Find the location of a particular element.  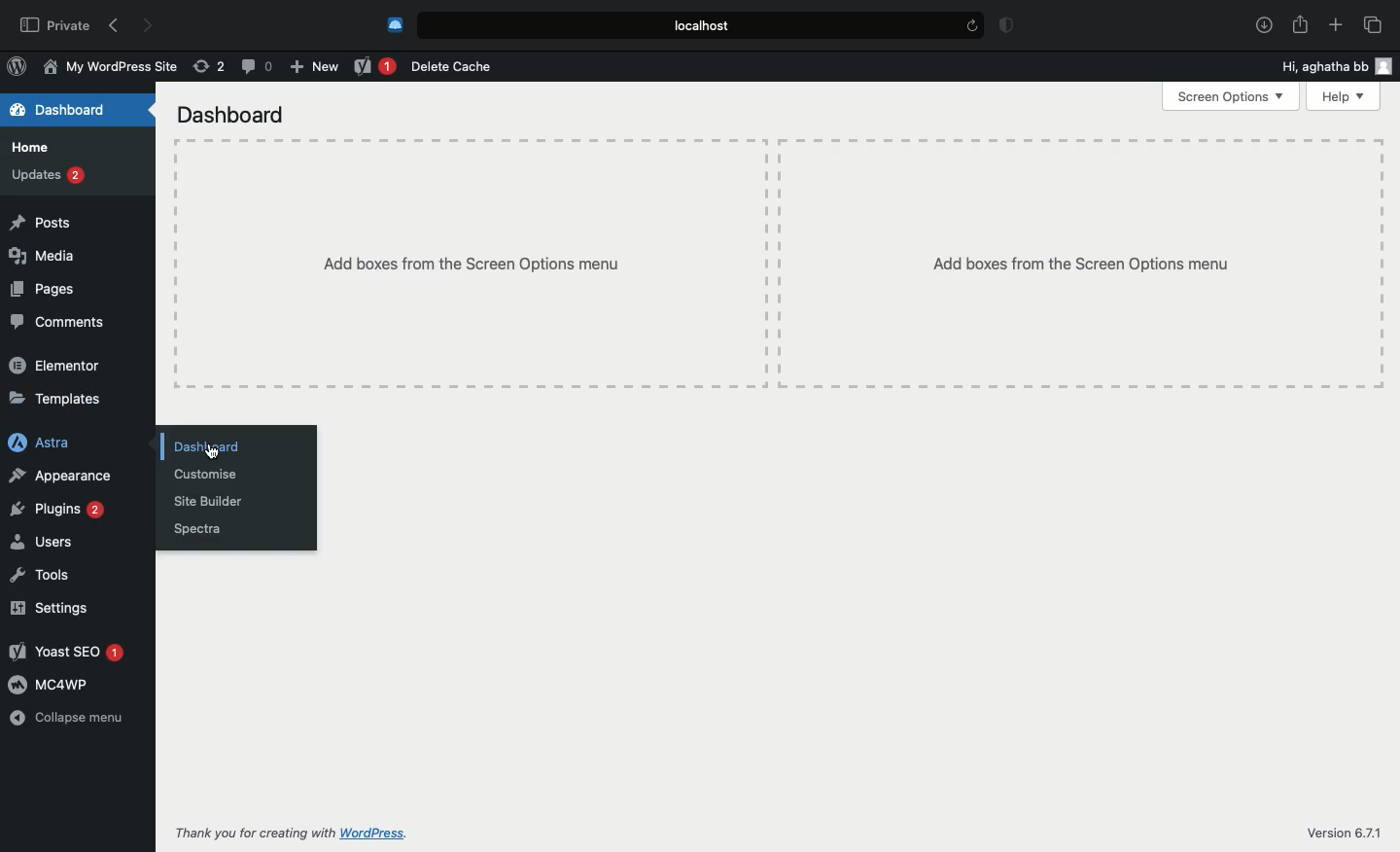

Add boxes from the Screen Options menu is located at coordinates (1080, 265).